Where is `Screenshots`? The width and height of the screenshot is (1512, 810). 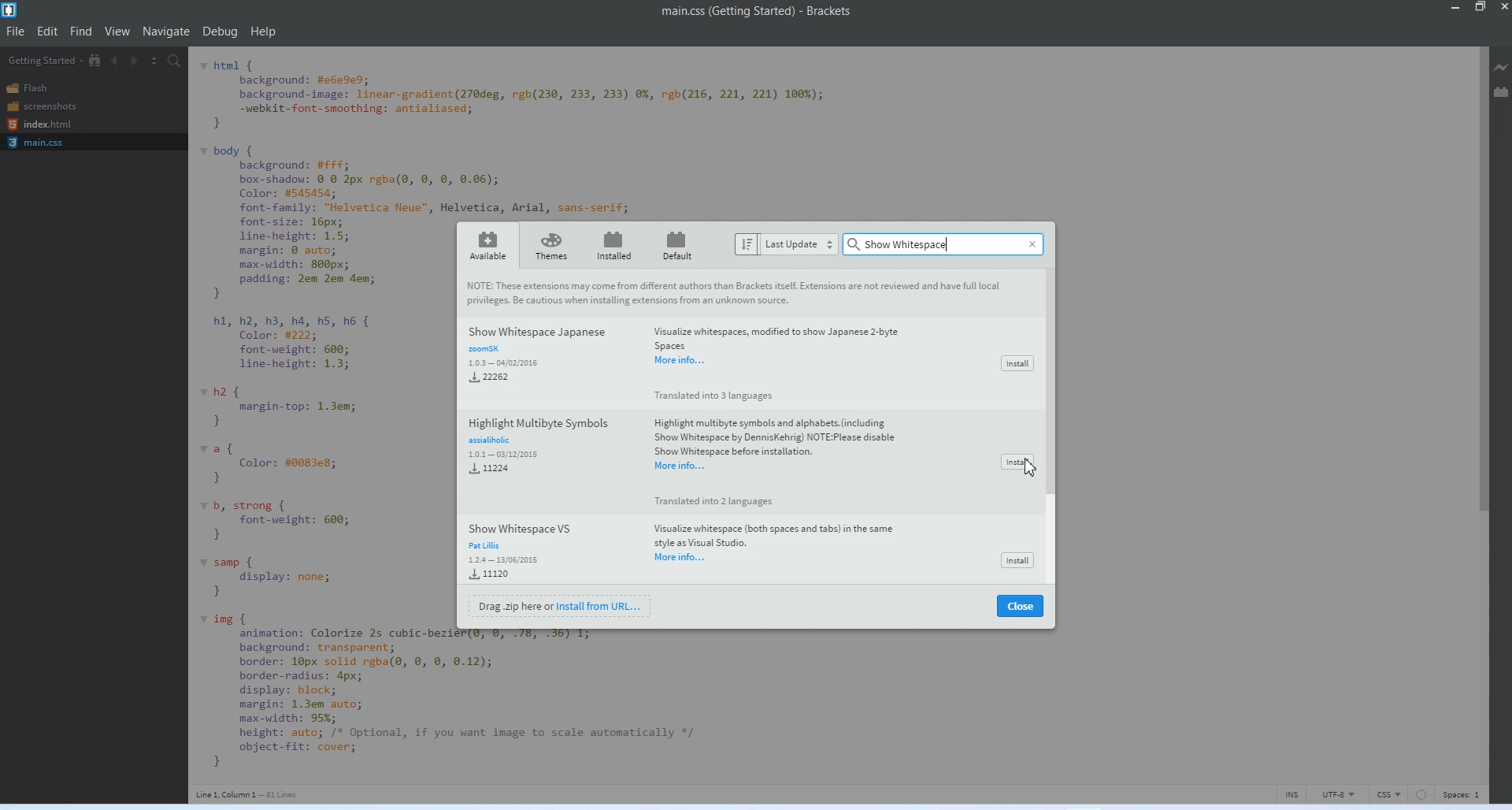
Screenshots is located at coordinates (41, 106).